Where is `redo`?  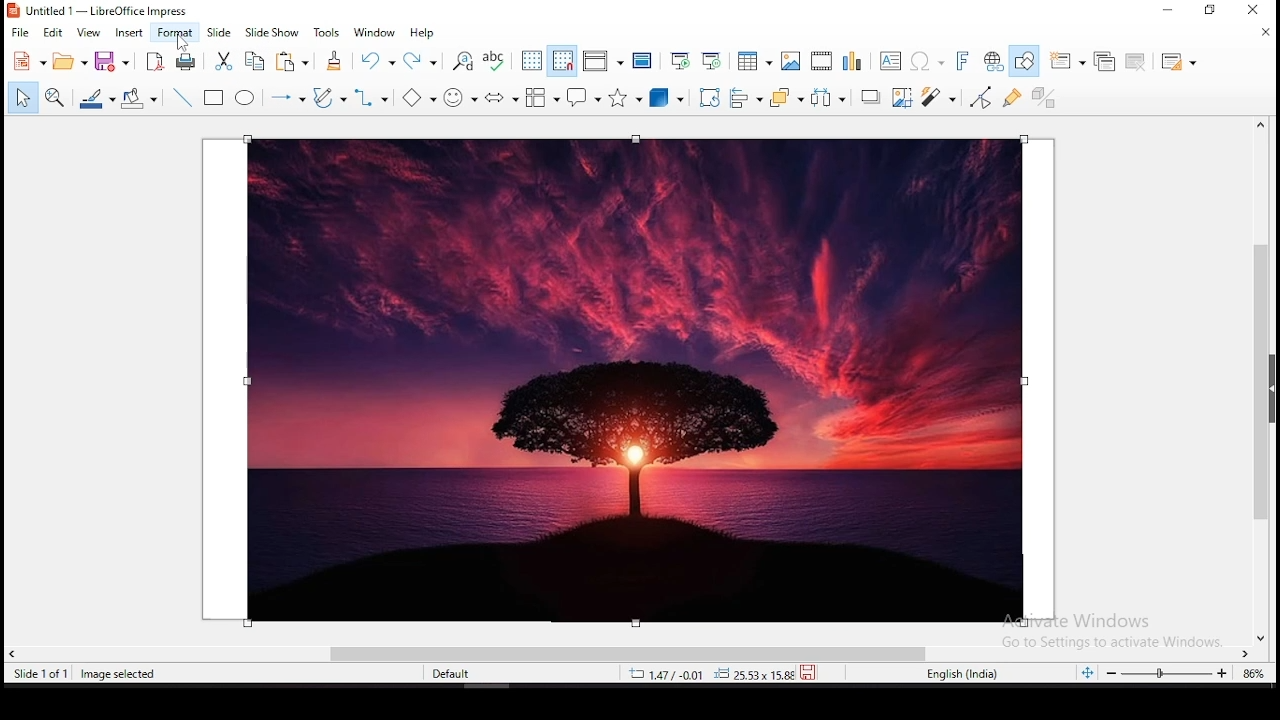 redo is located at coordinates (421, 59).